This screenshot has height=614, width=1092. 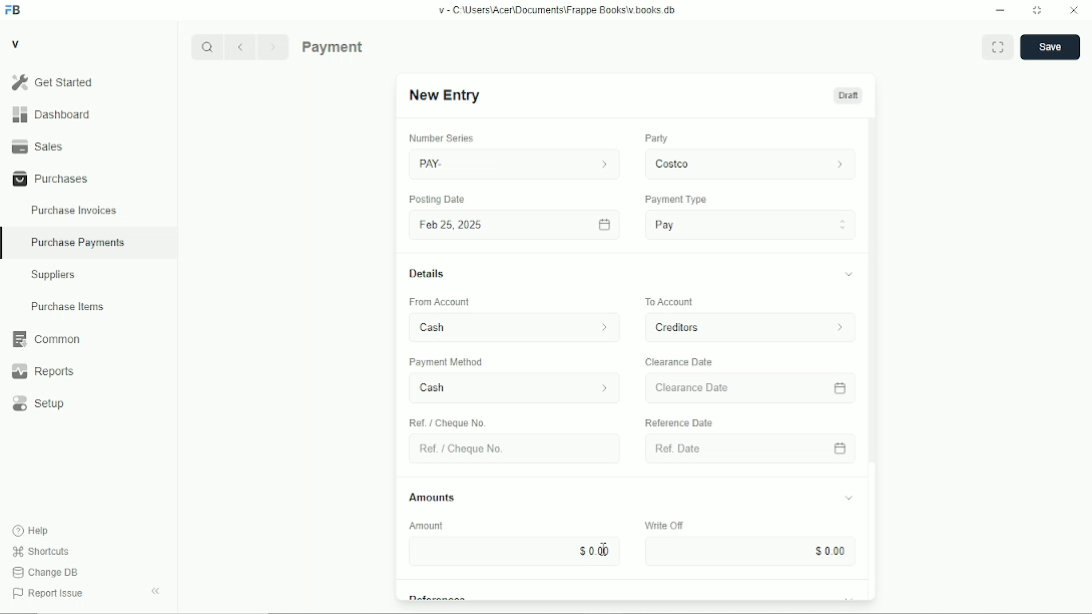 What do you see at coordinates (427, 274) in the screenshot?
I see `Details` at bounding box center [427, 274].